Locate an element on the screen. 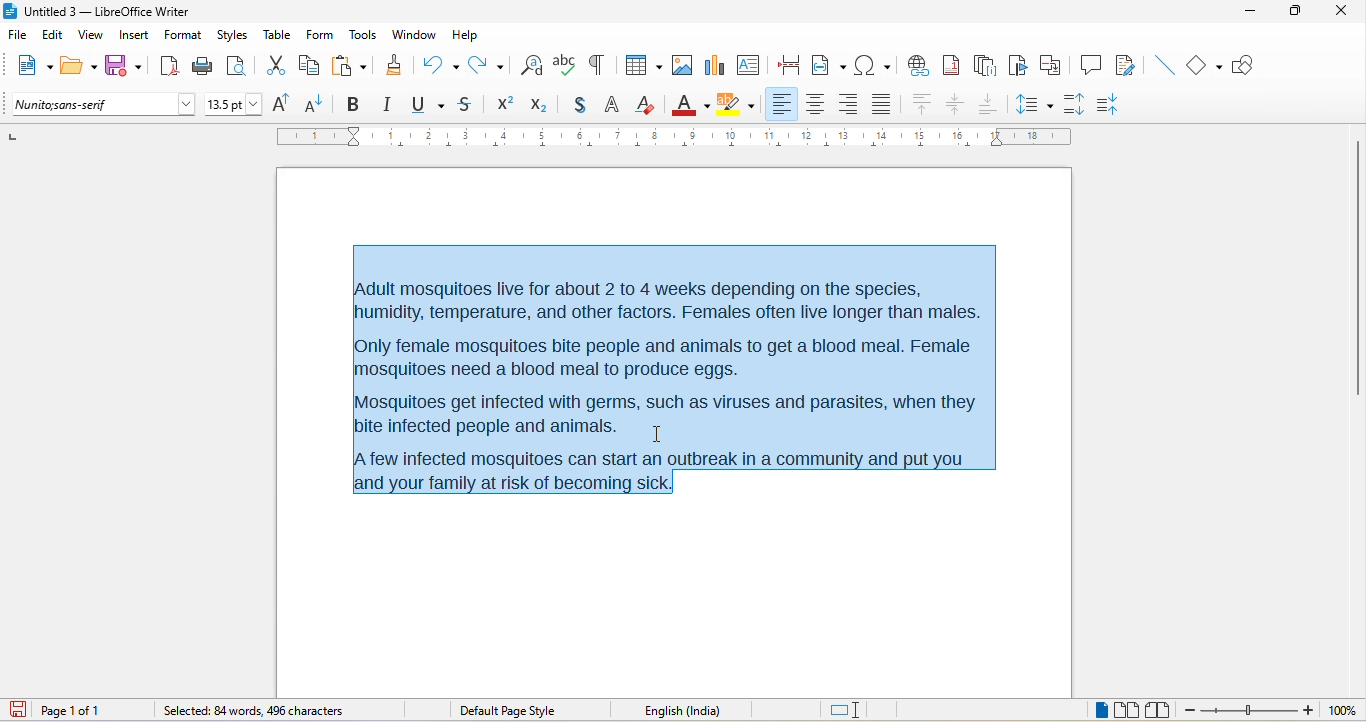  bold is located at coordinates (353, 105).